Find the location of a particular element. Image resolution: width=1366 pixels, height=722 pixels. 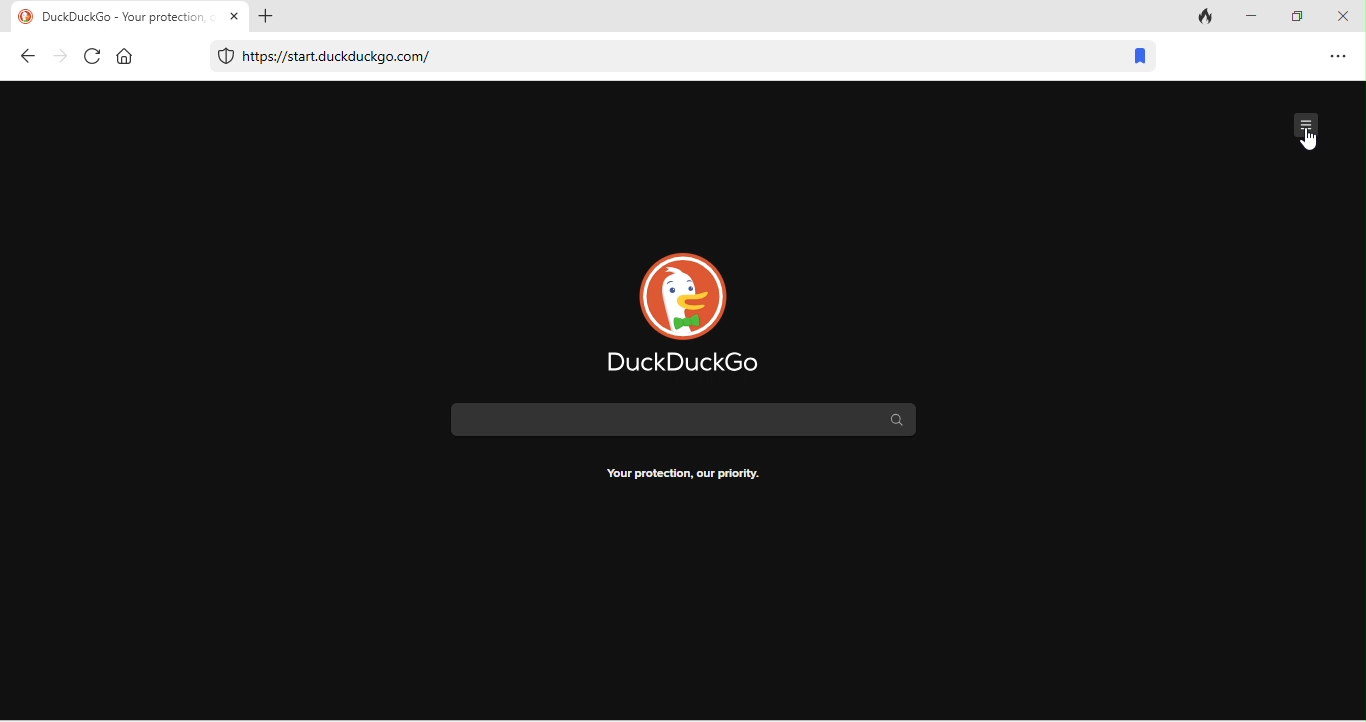

bookmark is located at coordinates (1139, 59).